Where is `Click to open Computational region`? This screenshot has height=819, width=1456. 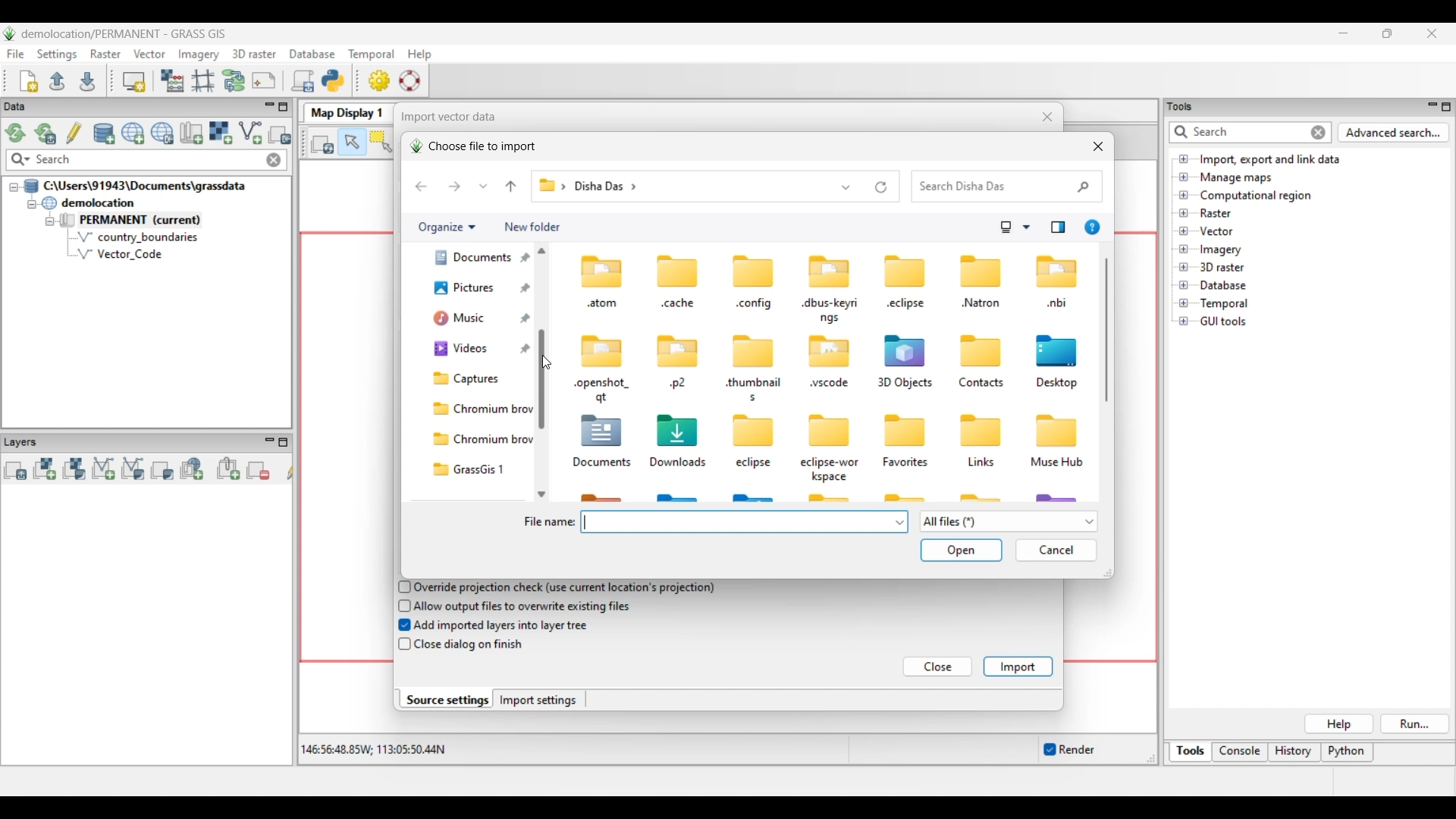
Click to open Computational region is located at coordinates (1184, 195).